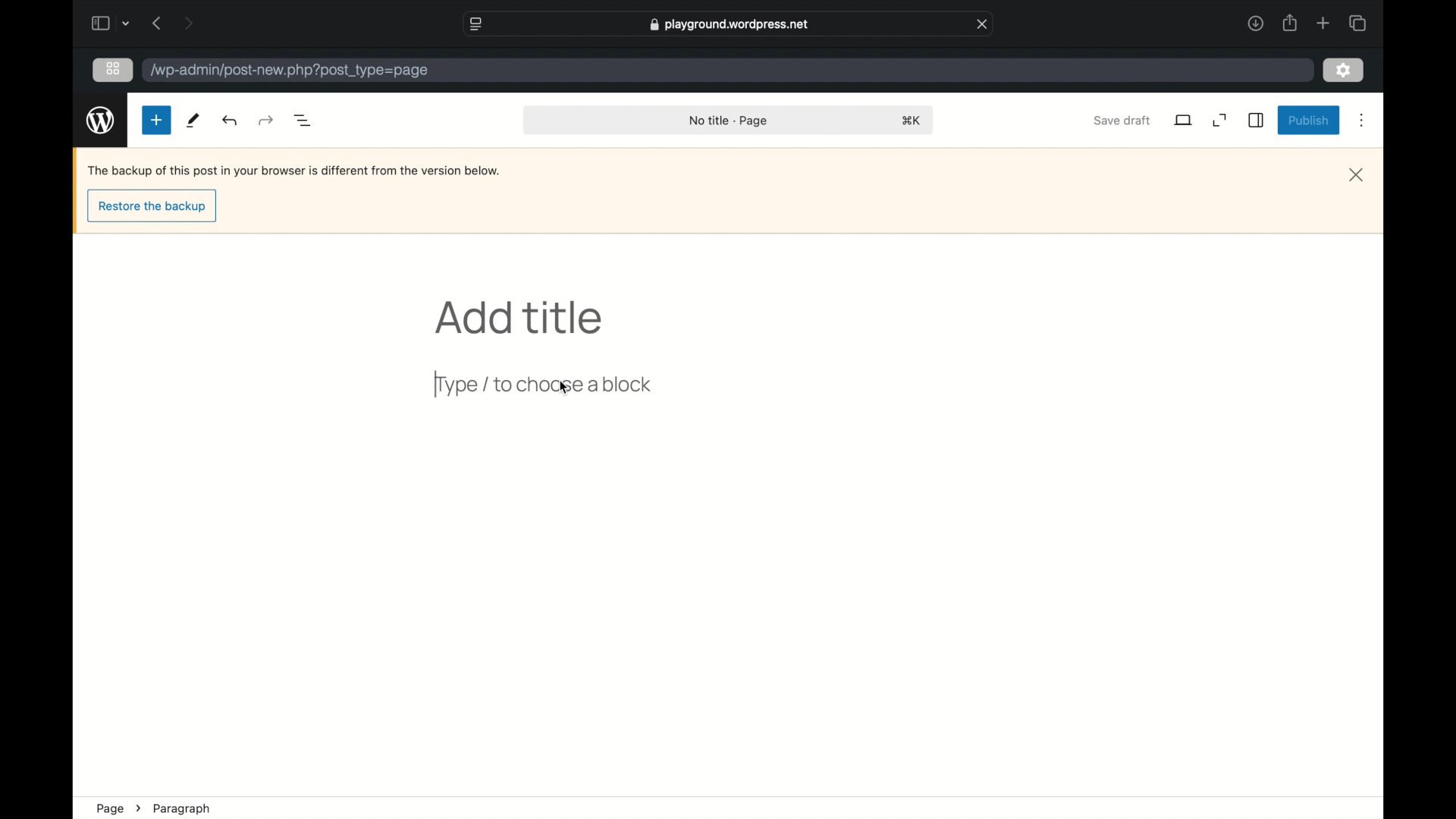  I want to click on sidebar, so click(1257, 121).